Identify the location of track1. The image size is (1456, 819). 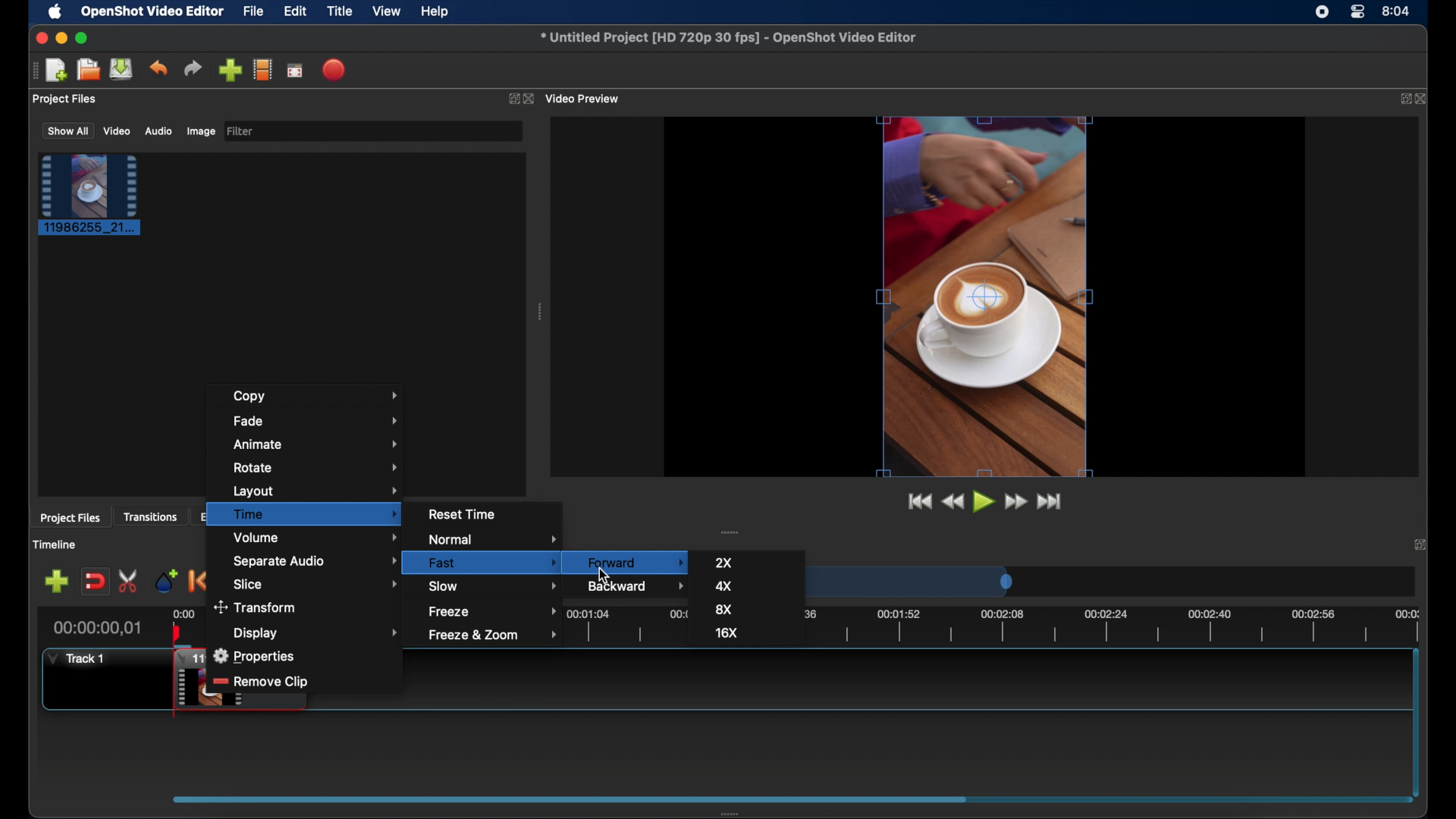
(77, 658).